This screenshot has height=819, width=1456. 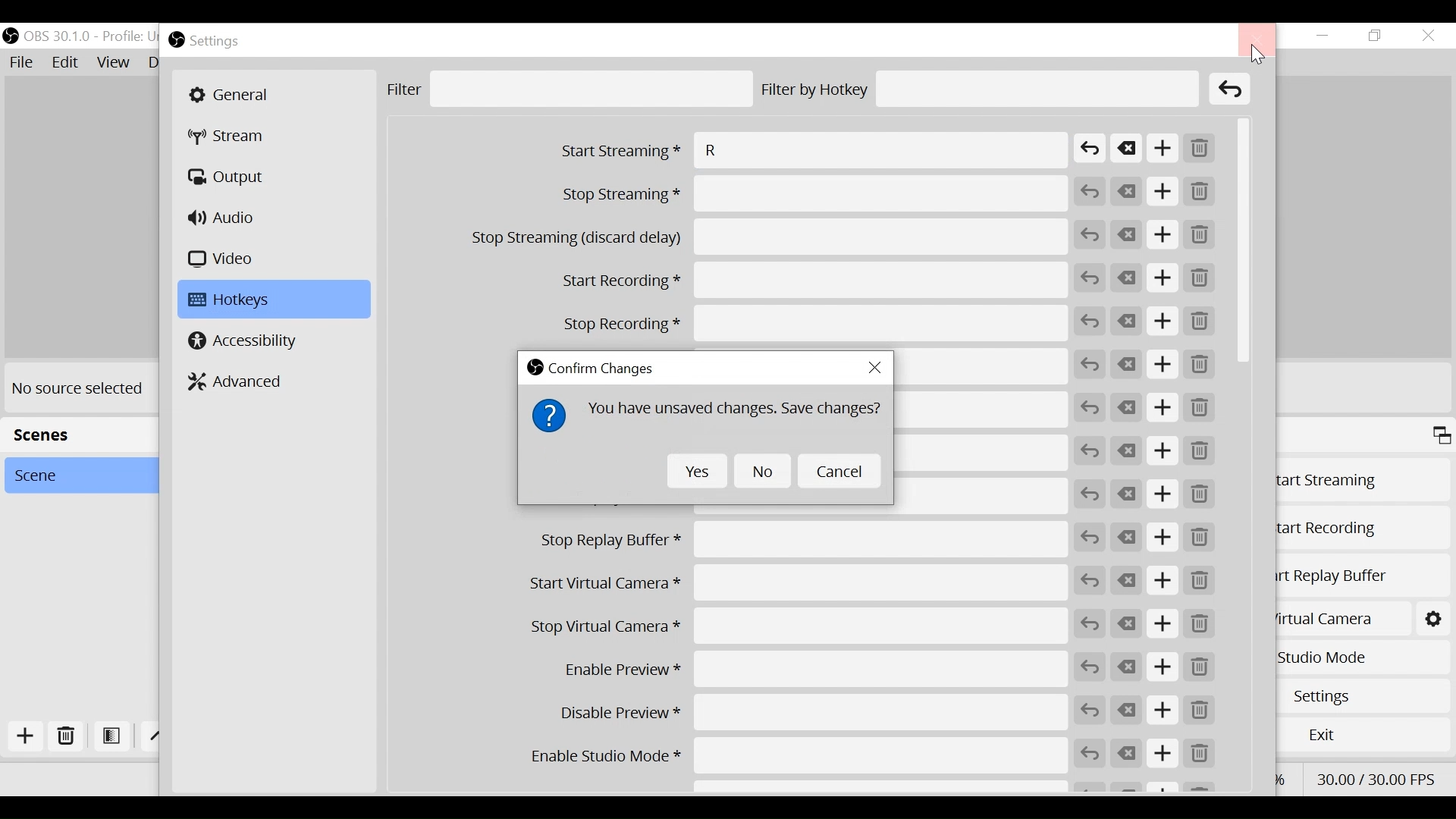 I want to click on Add, so click(x=1163, y=625).